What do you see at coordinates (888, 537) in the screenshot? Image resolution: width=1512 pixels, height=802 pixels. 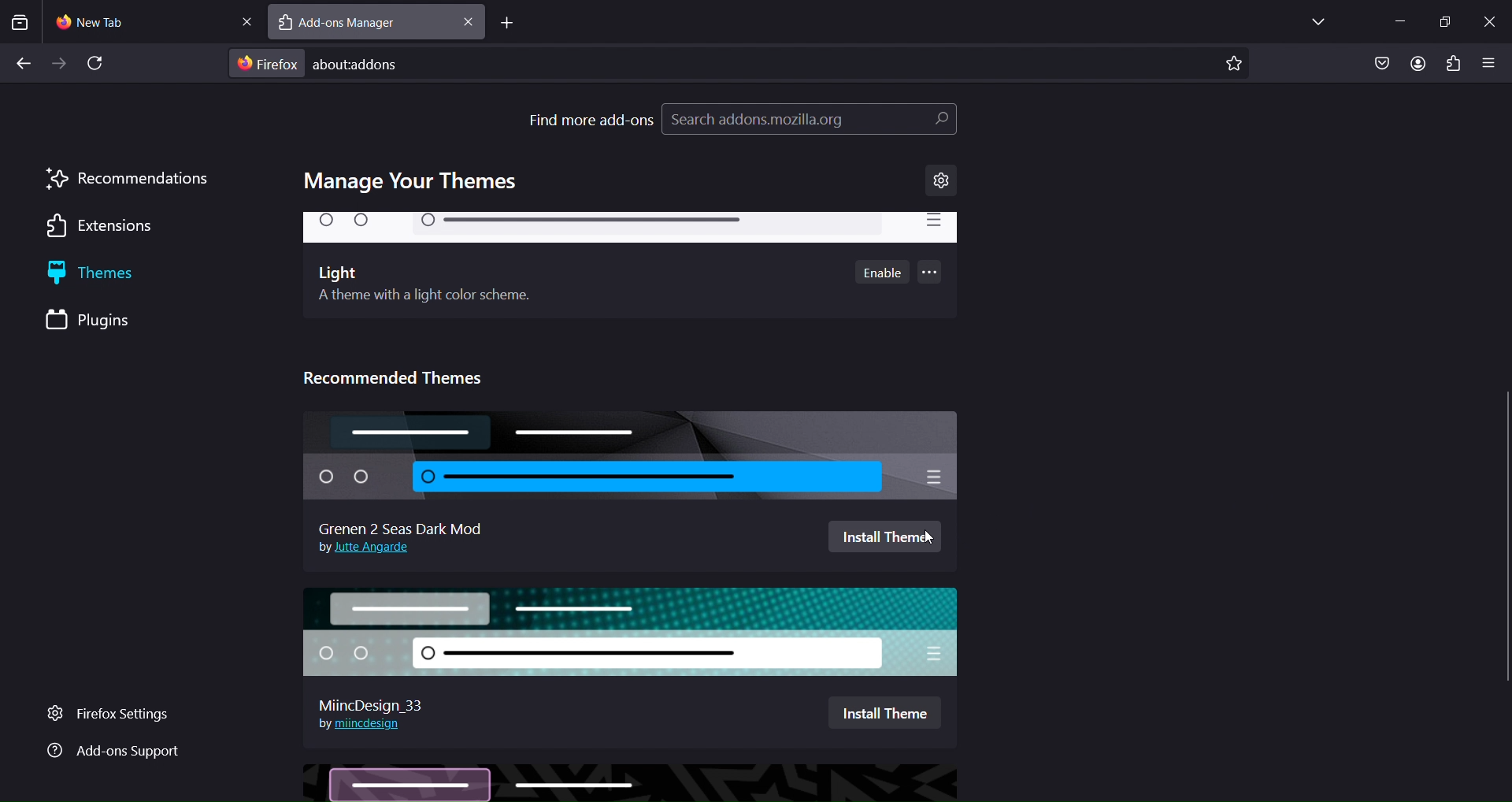 I see `install theme` at bounding box center [888, 537].